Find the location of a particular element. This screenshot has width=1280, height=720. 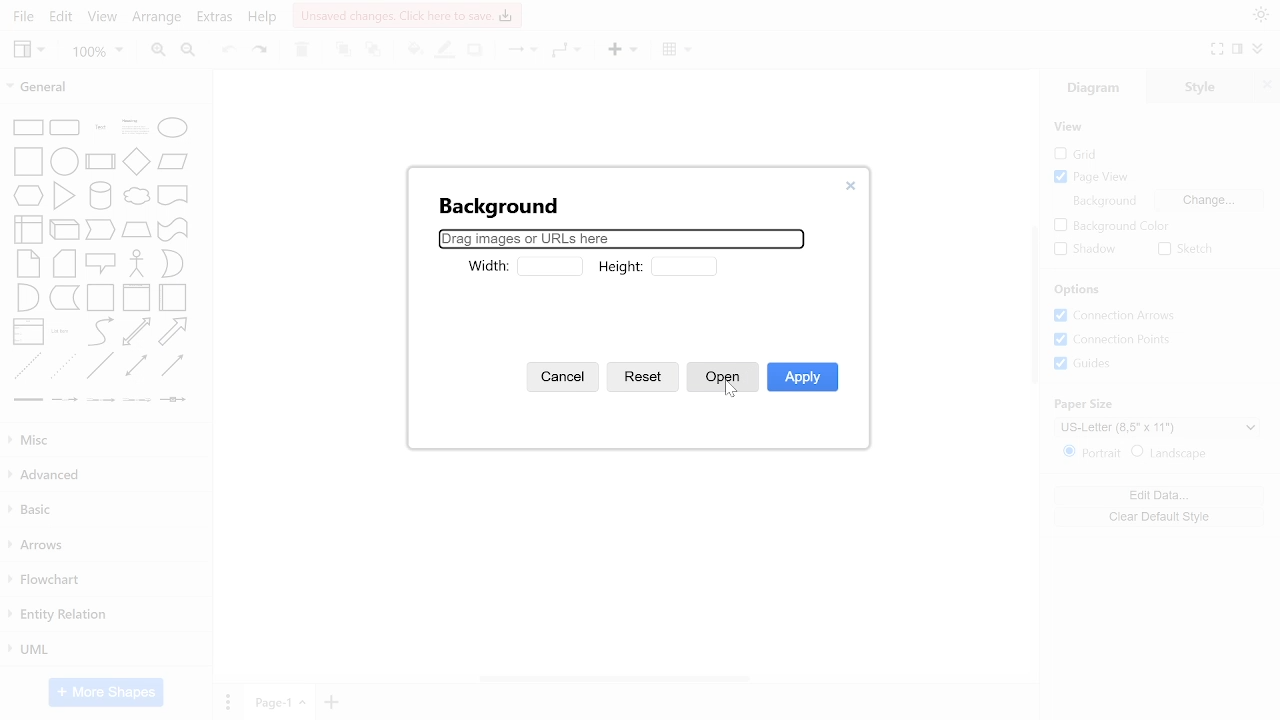

arrange is located at coordinates (156, 17).